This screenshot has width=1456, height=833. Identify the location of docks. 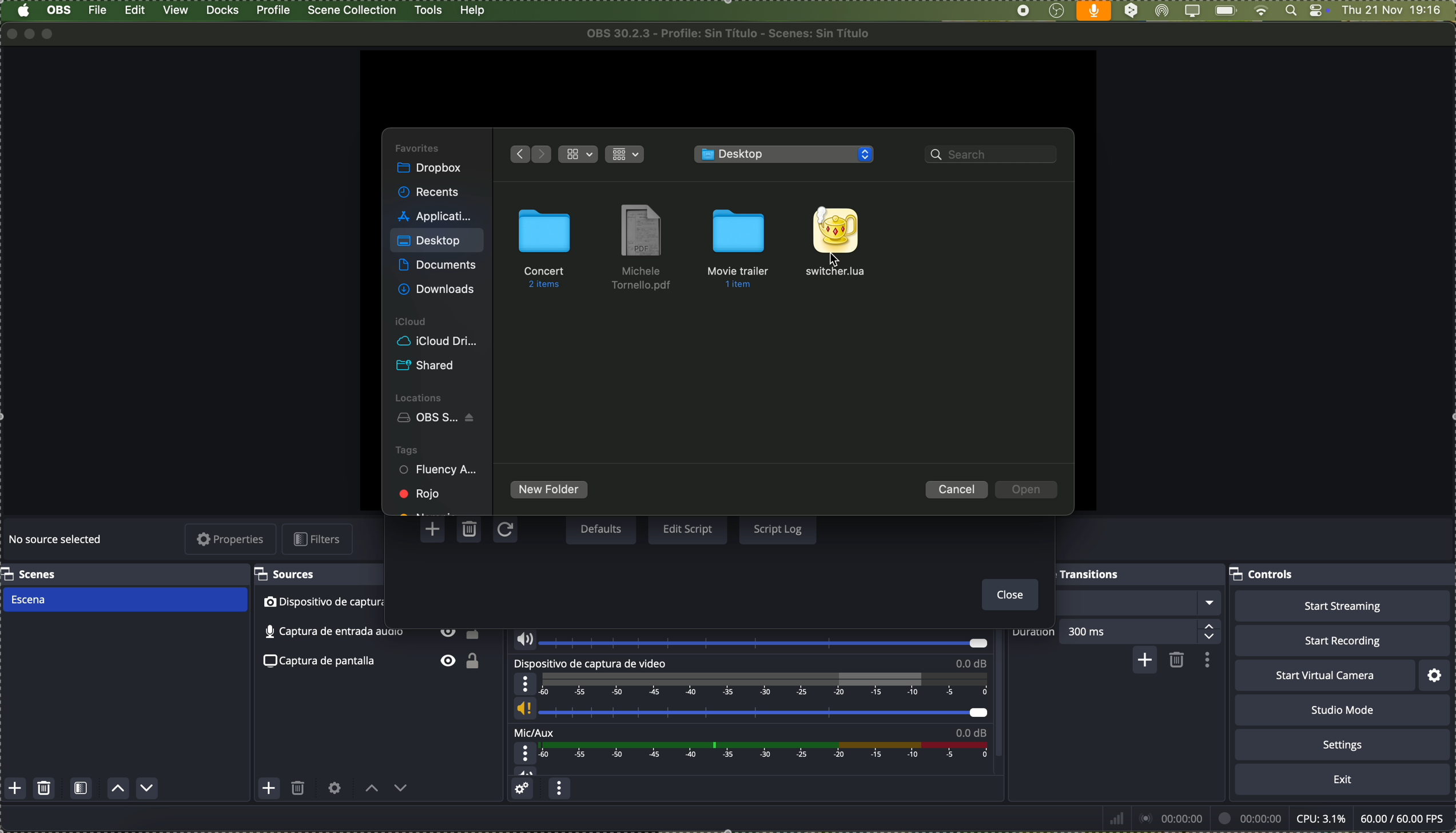
(223, 11).